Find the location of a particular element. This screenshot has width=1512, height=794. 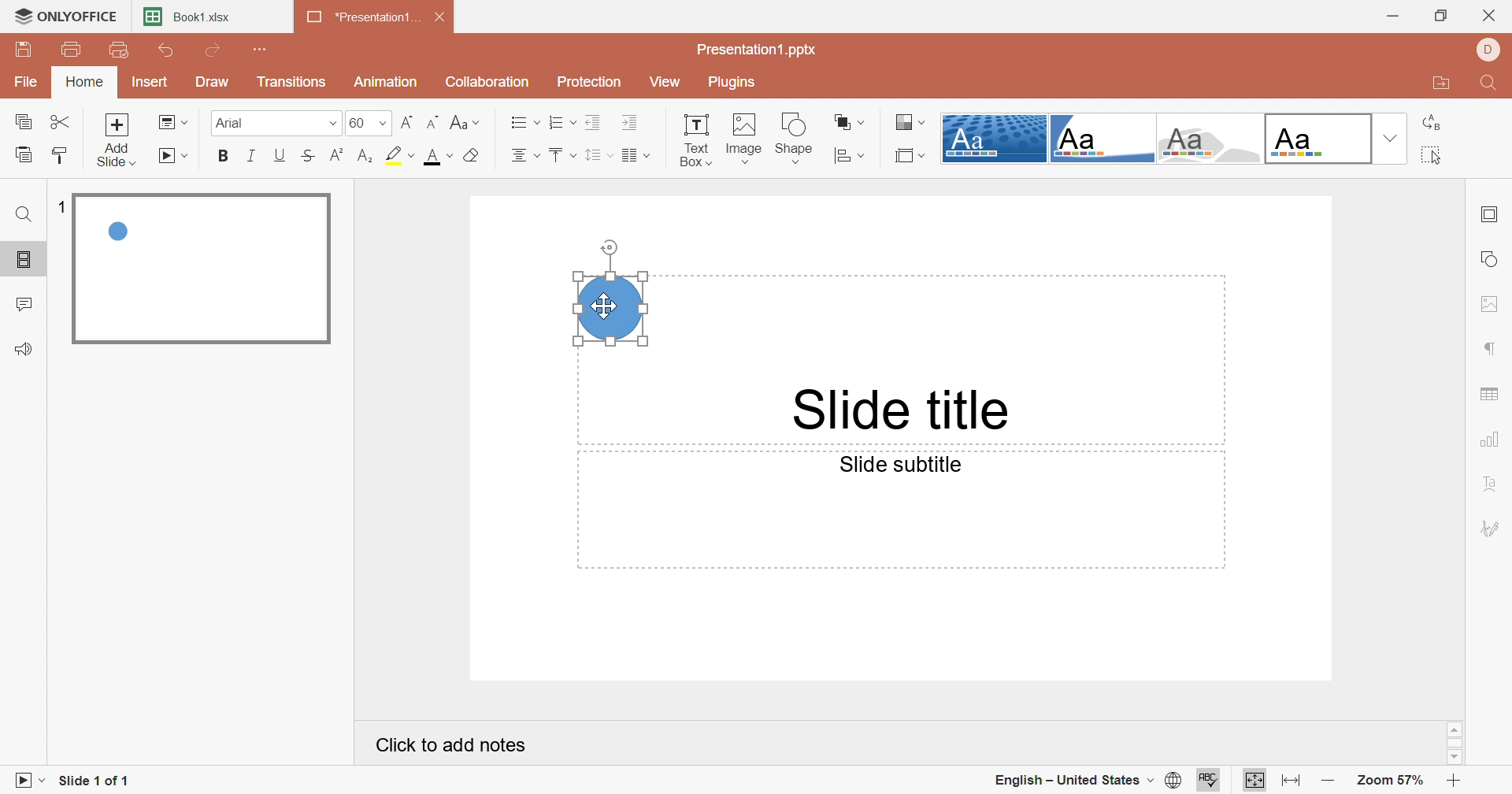

Vertical align is located at coordinates (561, 155).